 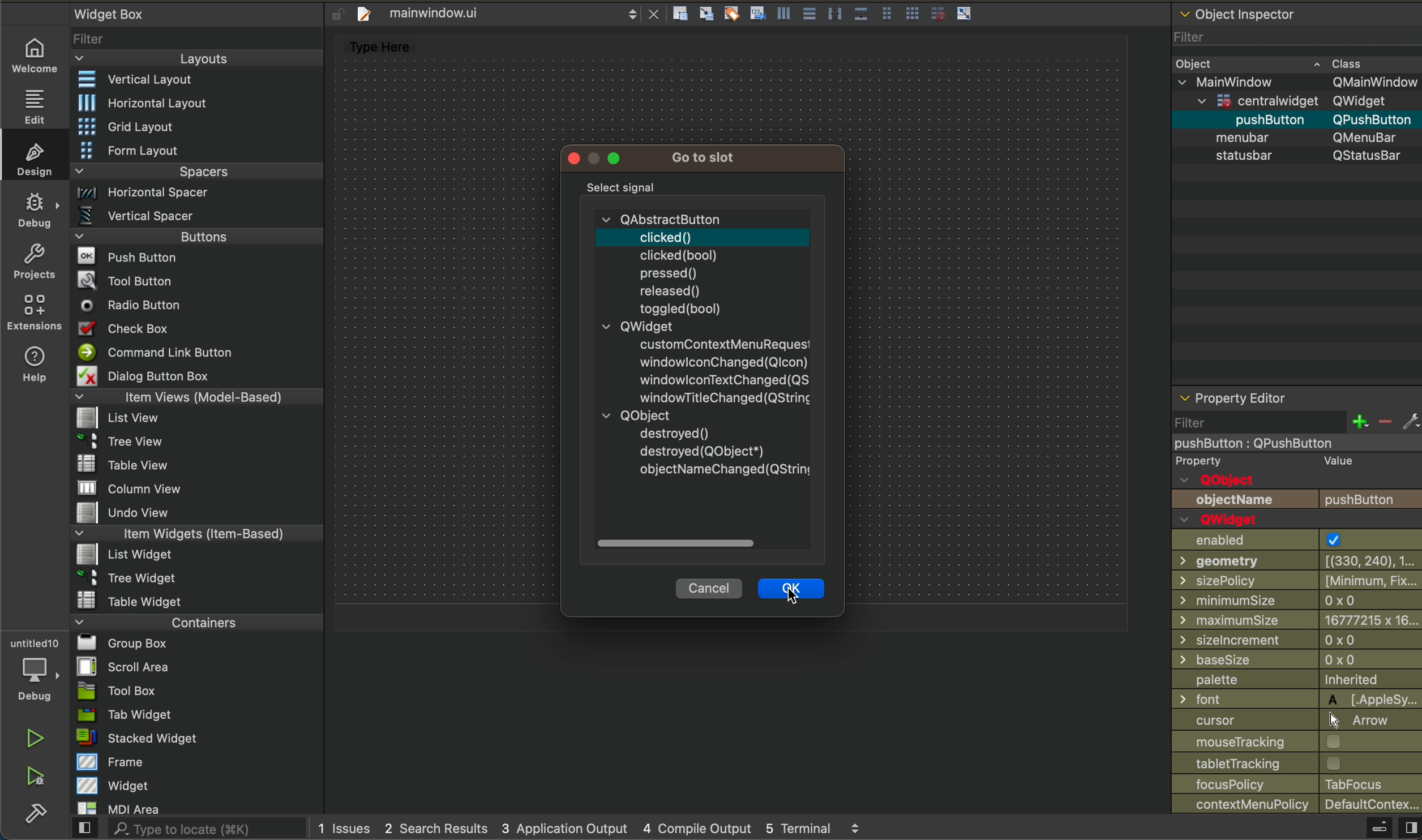 What do you see at coordinates (601, 830) in the screenshot?
I see `` at bounding box center [601, 830].